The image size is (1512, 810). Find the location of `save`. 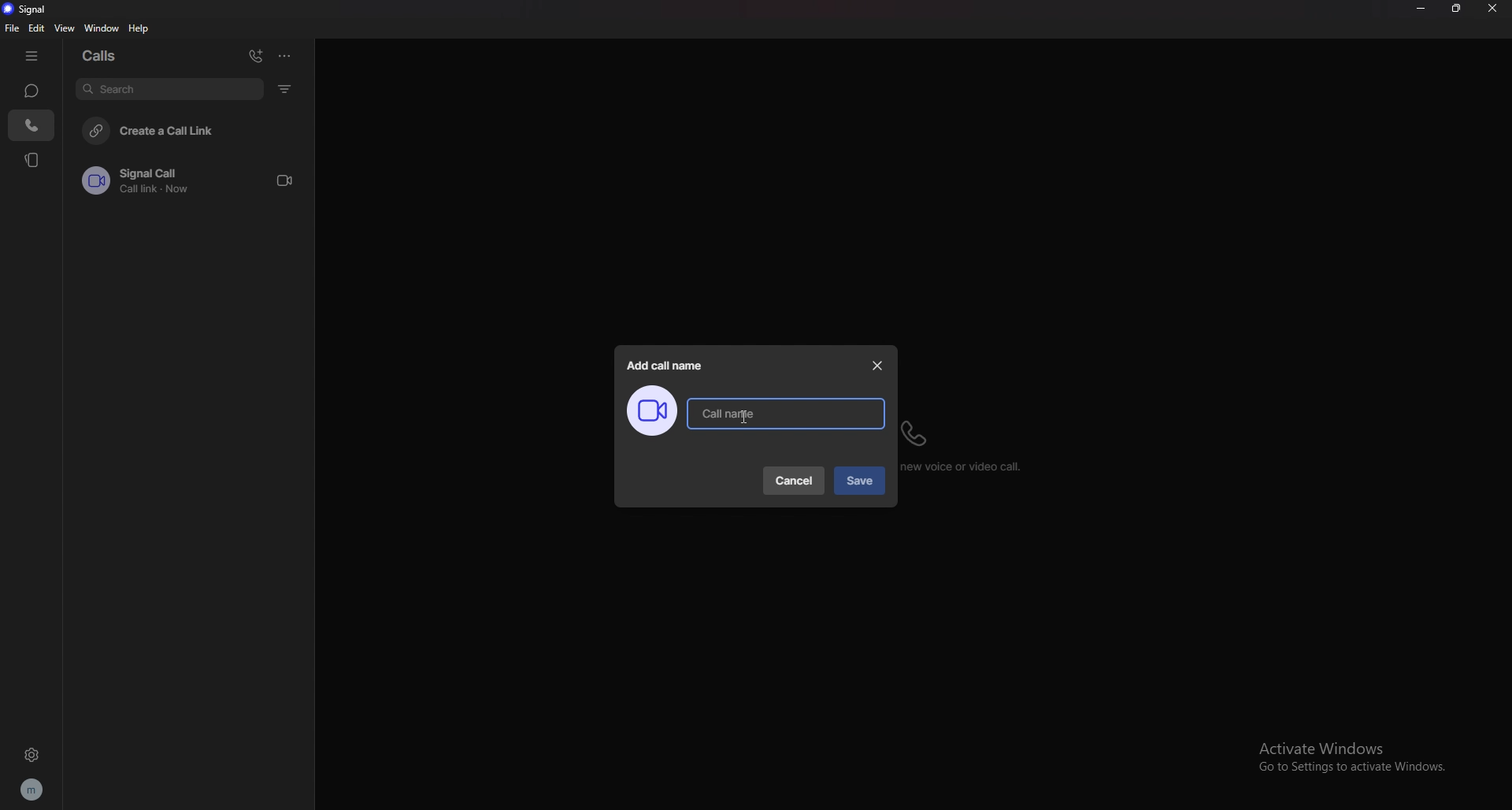

save is located at coordinates (858, 481).